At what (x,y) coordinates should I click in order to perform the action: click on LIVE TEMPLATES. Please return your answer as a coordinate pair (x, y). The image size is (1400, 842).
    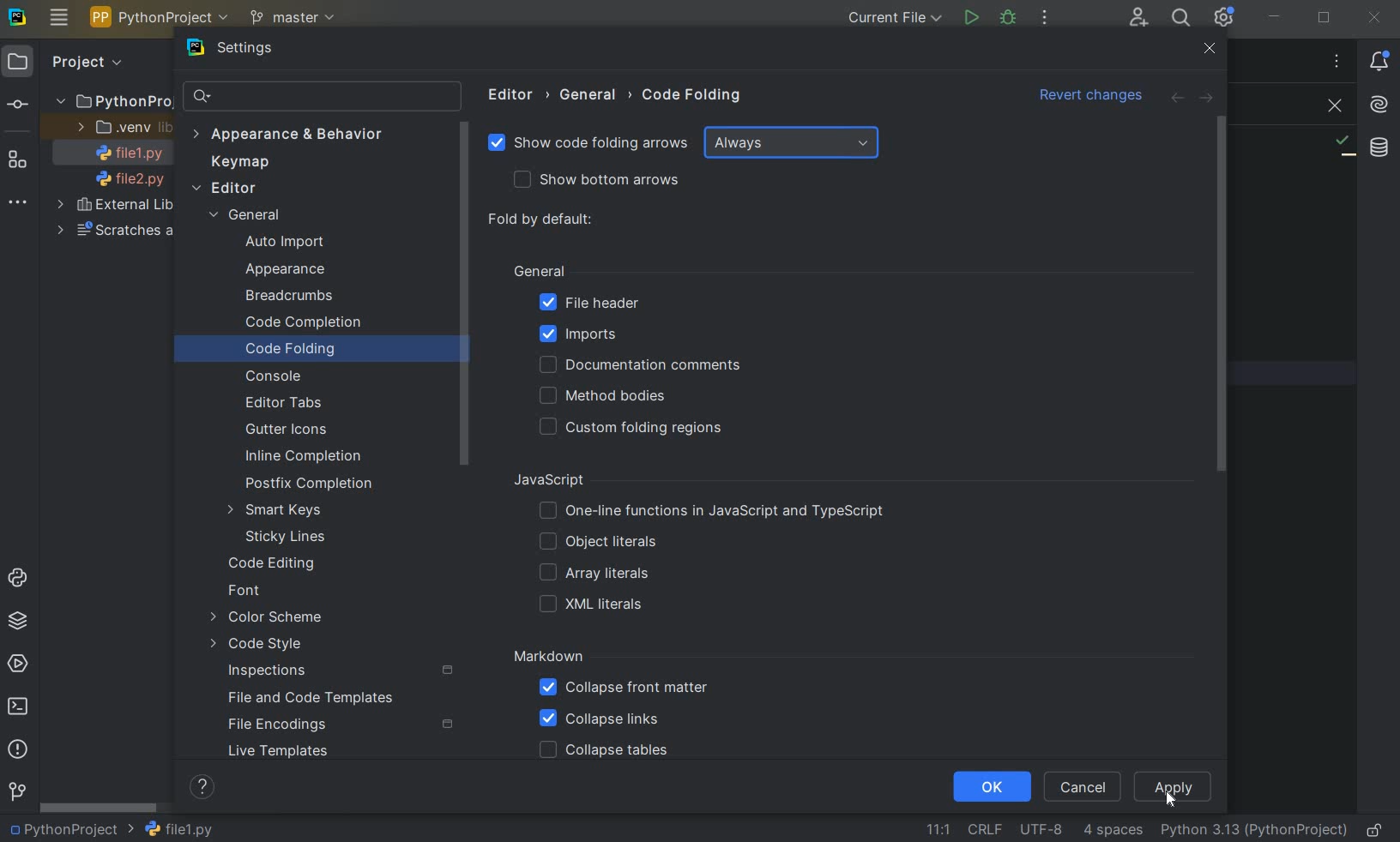
    Looking at the image, I should click on (305, 751).